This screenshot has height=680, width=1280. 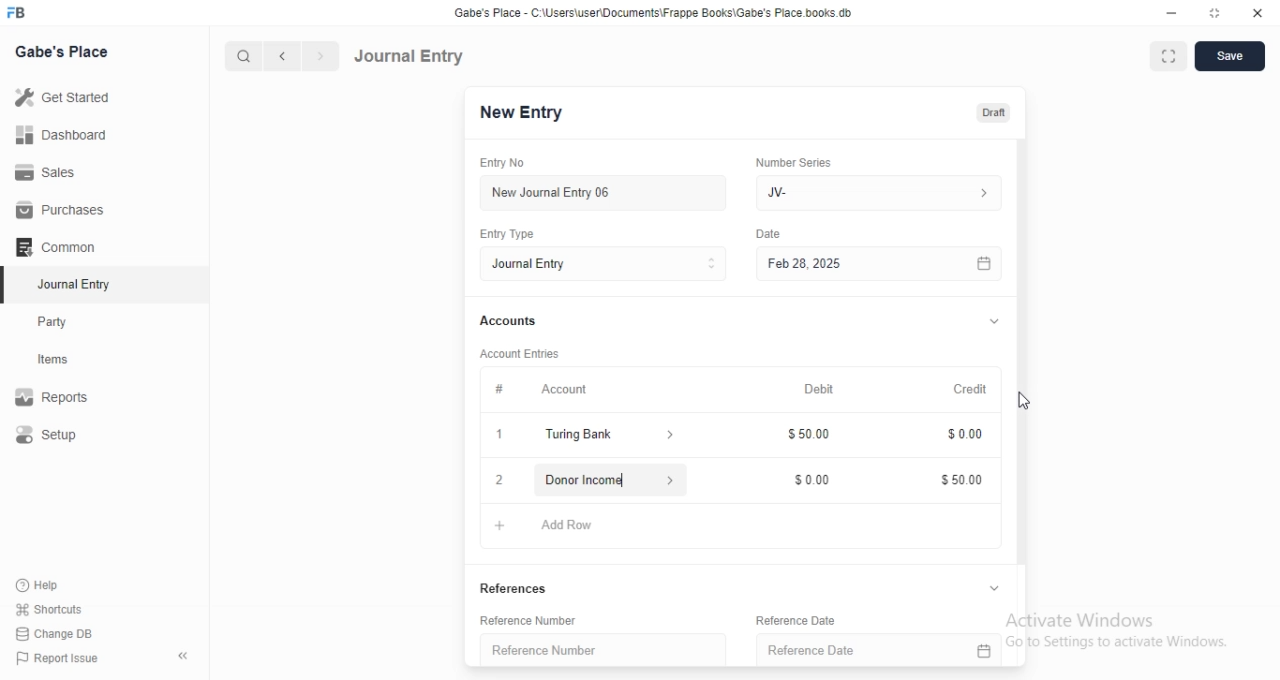 I want to click on Gabe's Place, so click(x=62, y=51).